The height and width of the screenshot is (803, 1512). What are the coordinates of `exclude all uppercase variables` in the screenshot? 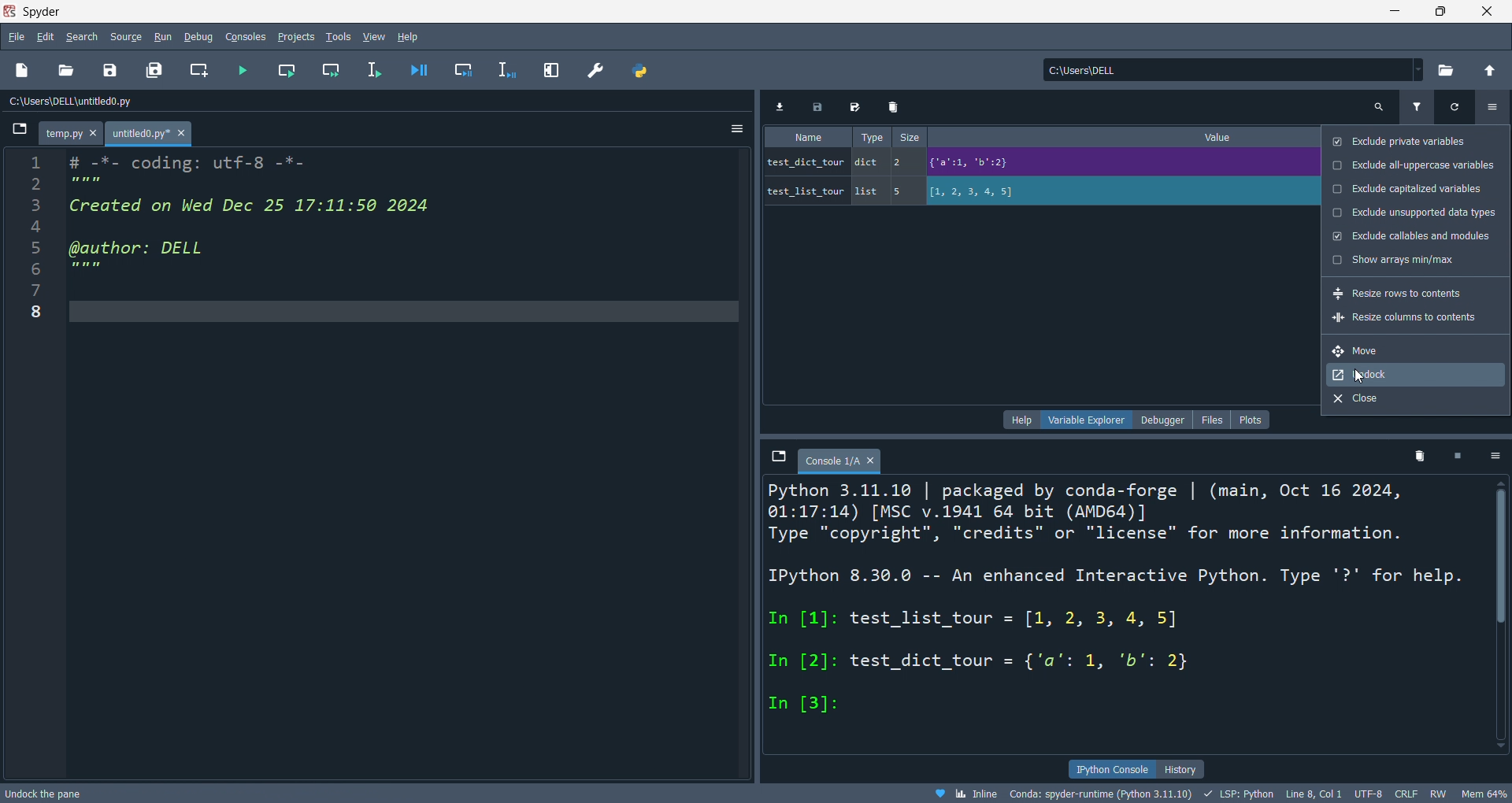 It's located at (1415, 167).